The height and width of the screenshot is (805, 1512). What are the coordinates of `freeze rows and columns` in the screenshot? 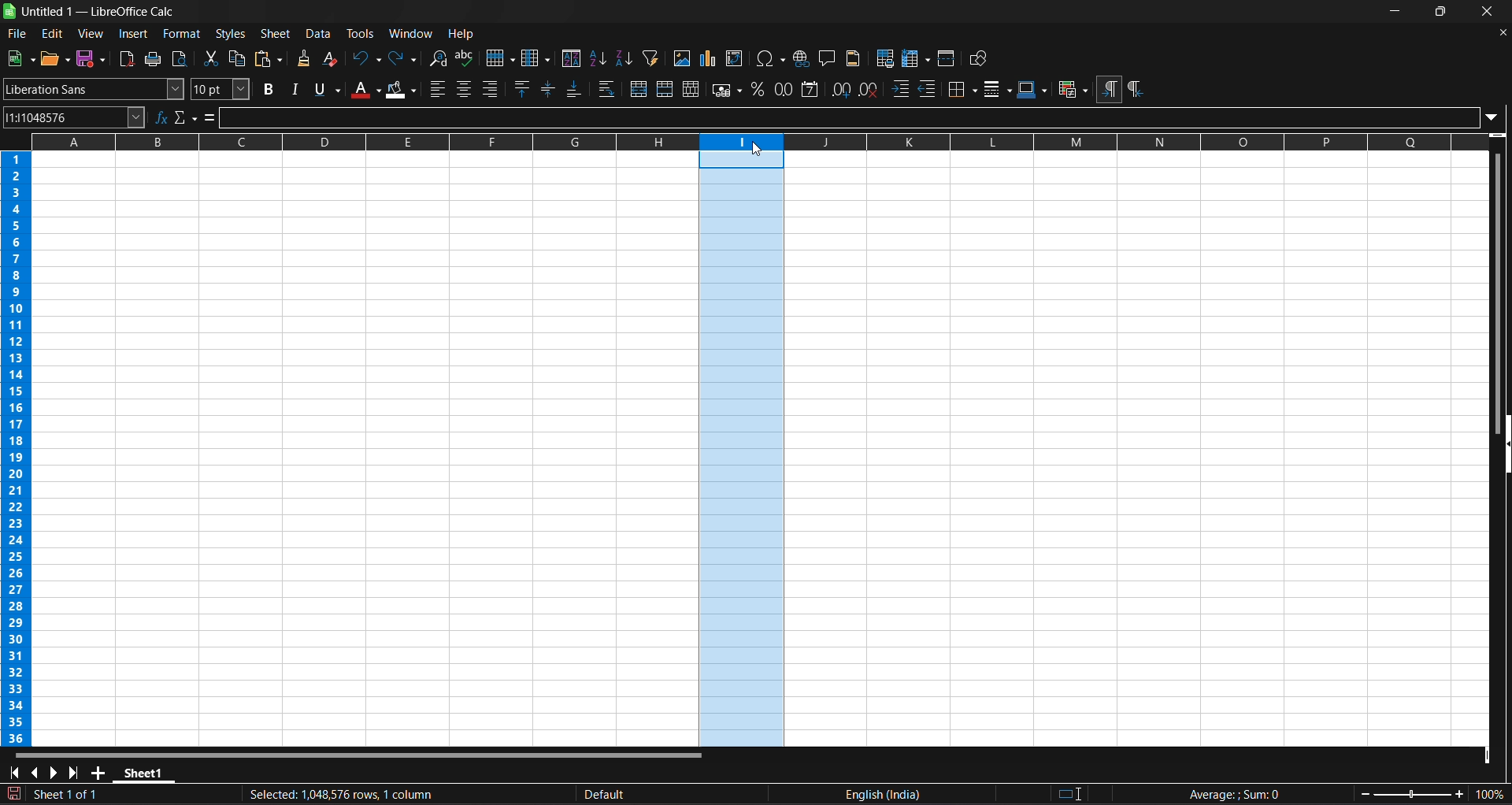 It's located at (917, 57).